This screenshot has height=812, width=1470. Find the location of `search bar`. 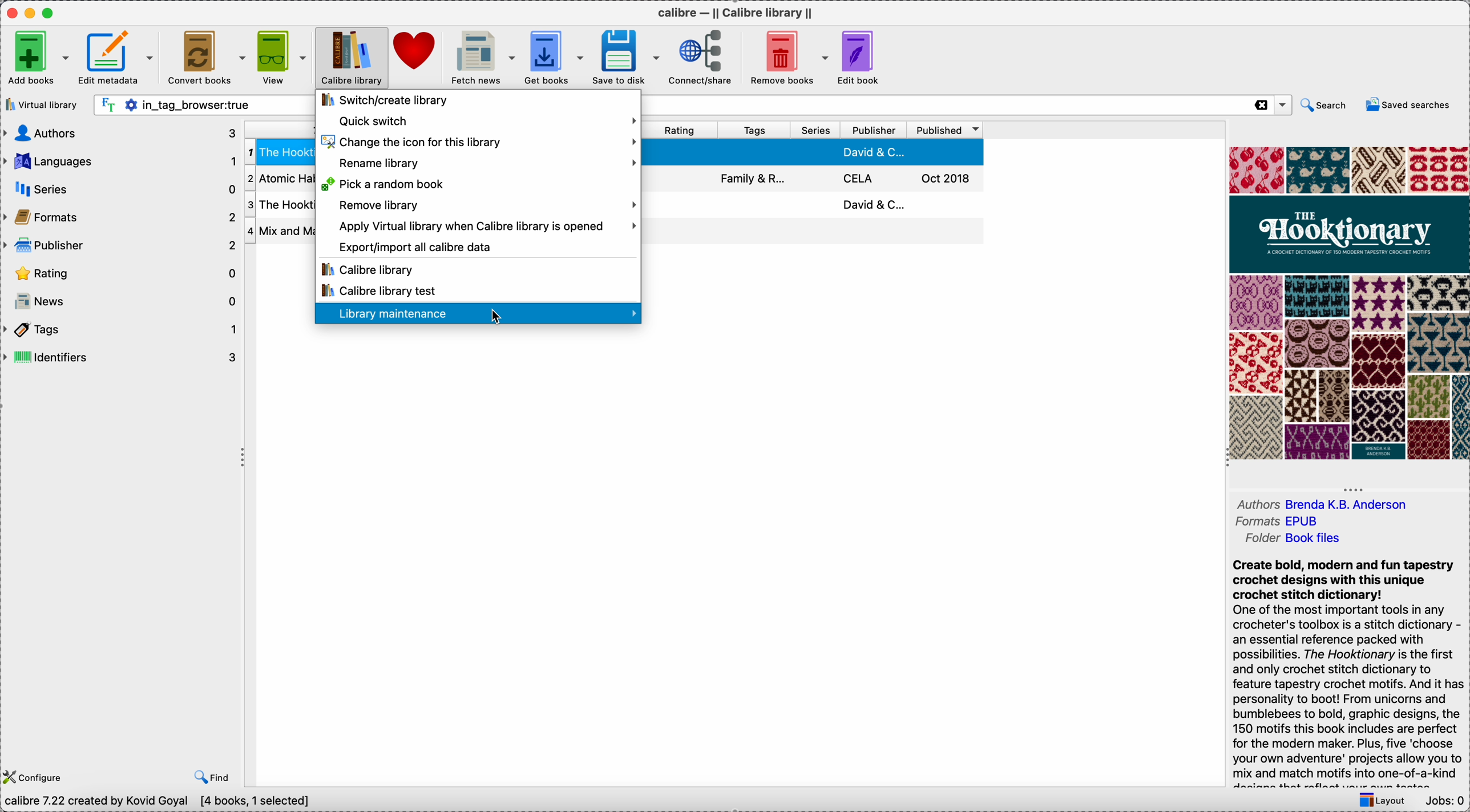

search bar is located at coordinates (205, 104).